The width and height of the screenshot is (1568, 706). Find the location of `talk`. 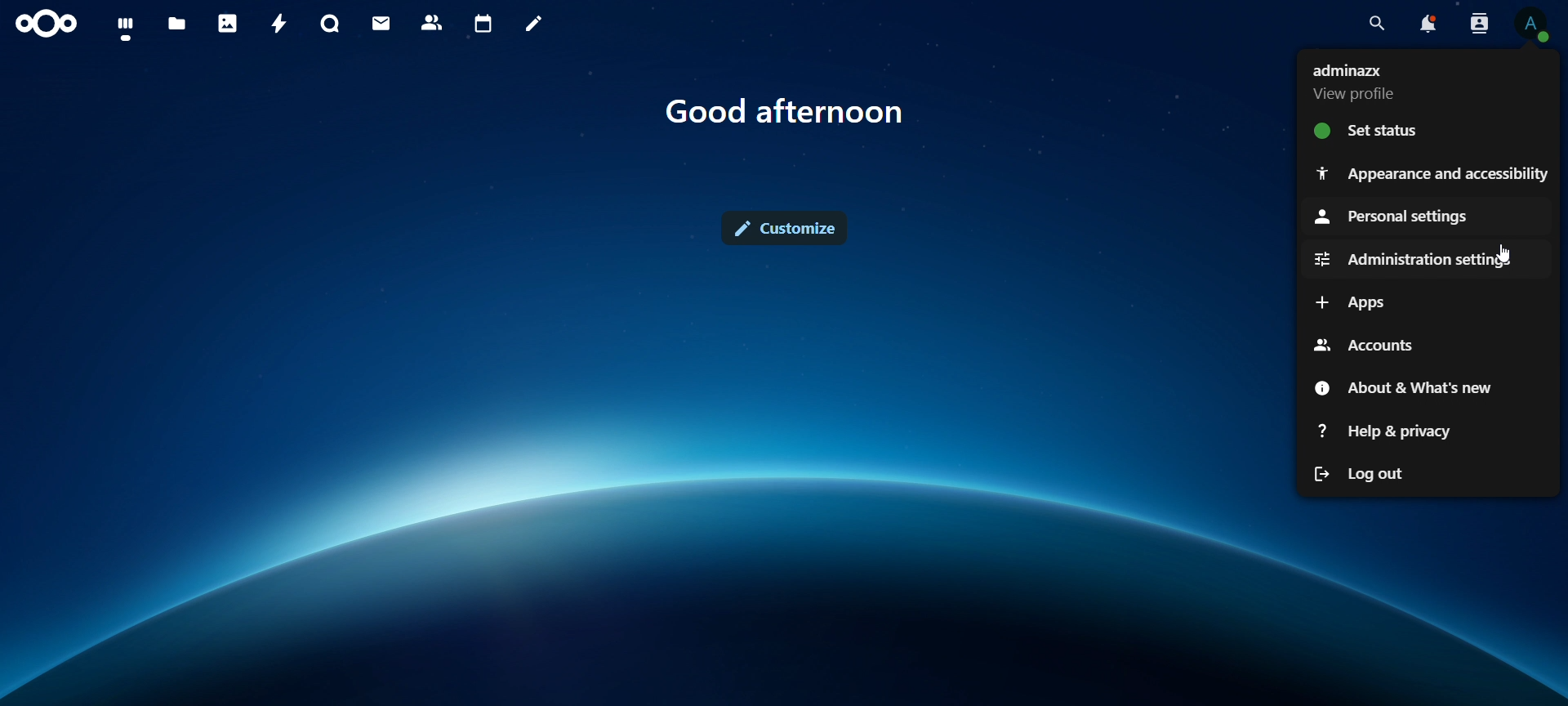

talk is located at coordinates (329, 22).